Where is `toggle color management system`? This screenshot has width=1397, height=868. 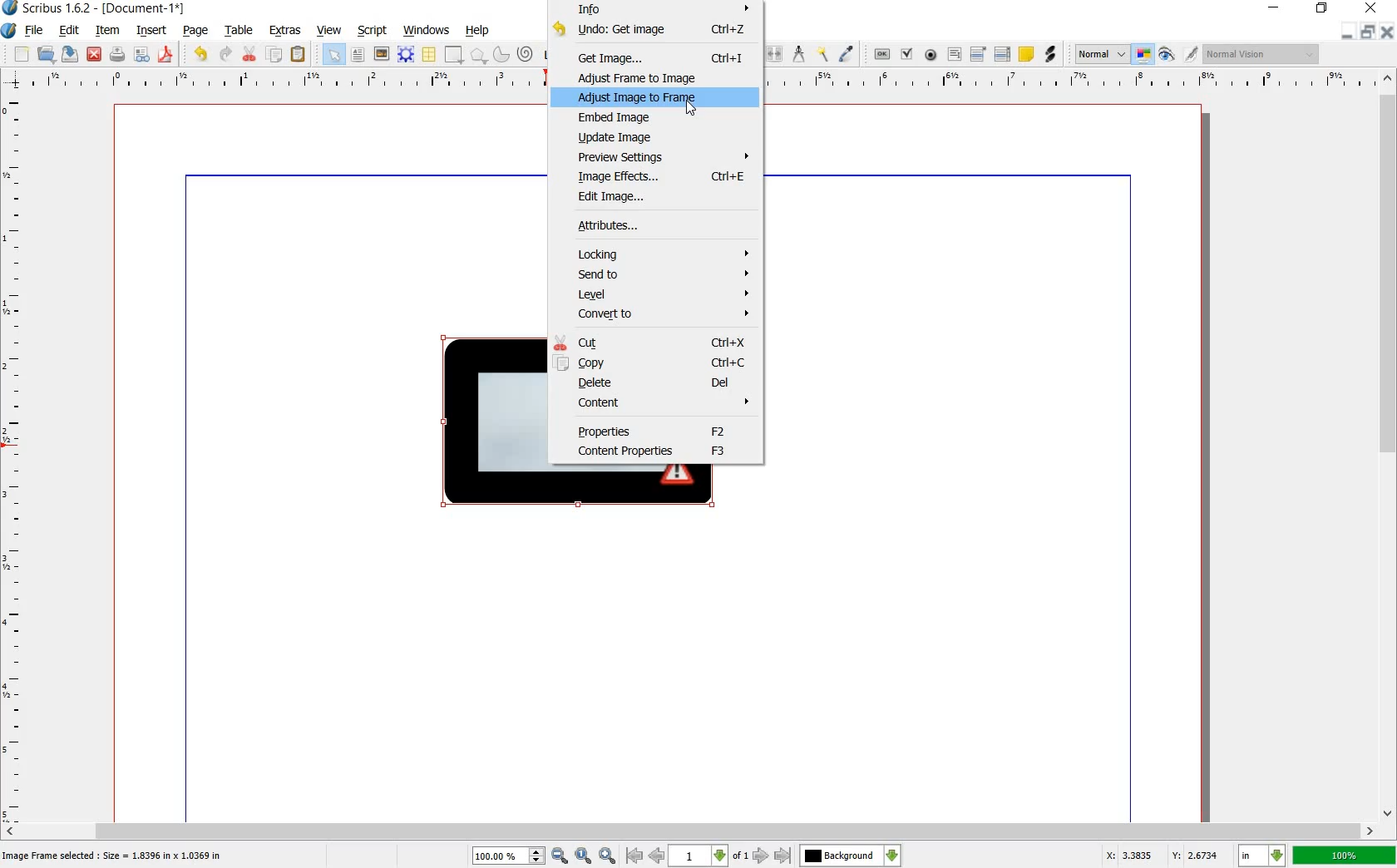 toggle color management system is located at coordinates (1143, 55).